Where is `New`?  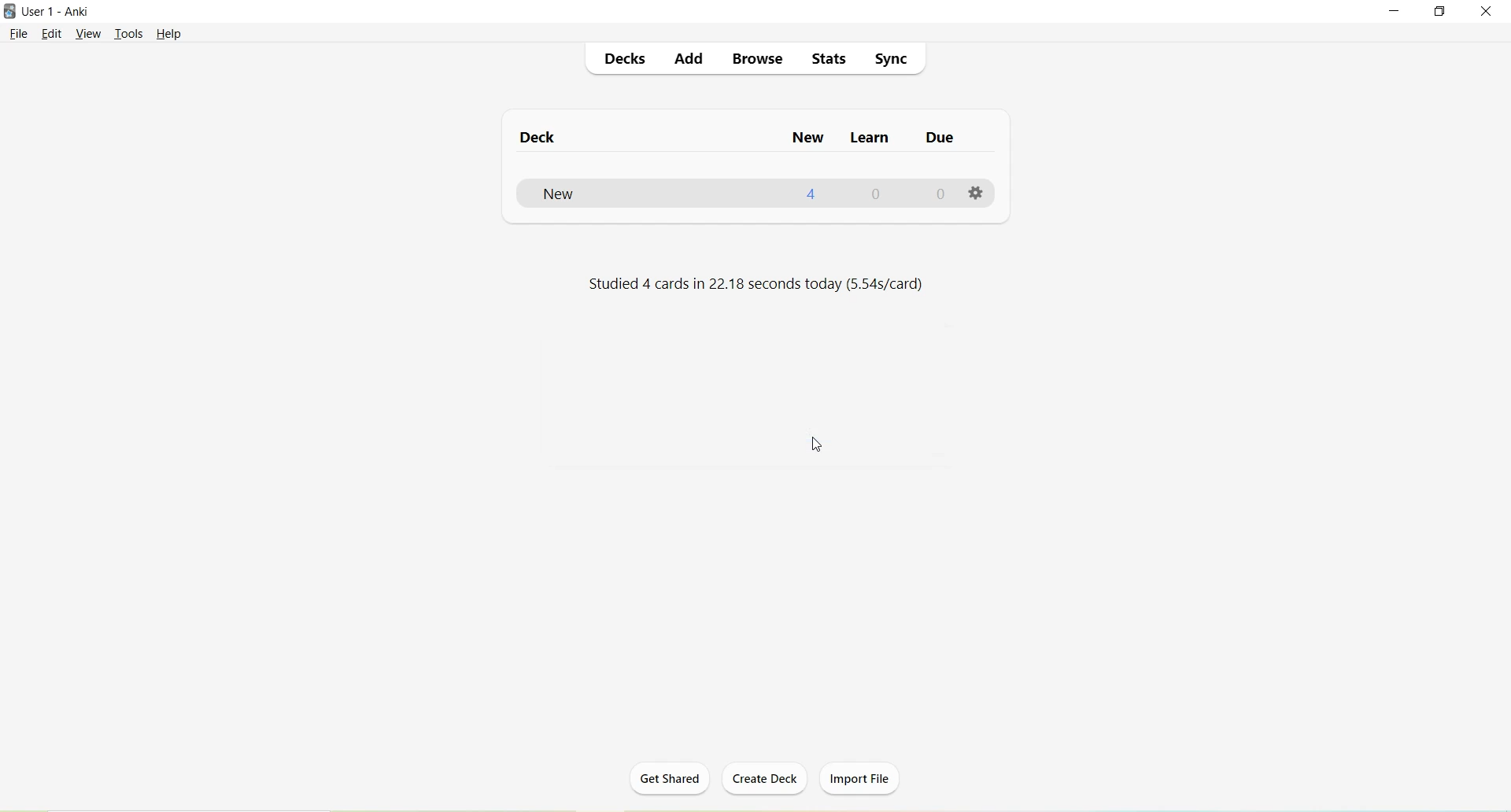
New is located at coordinates (567, 194).